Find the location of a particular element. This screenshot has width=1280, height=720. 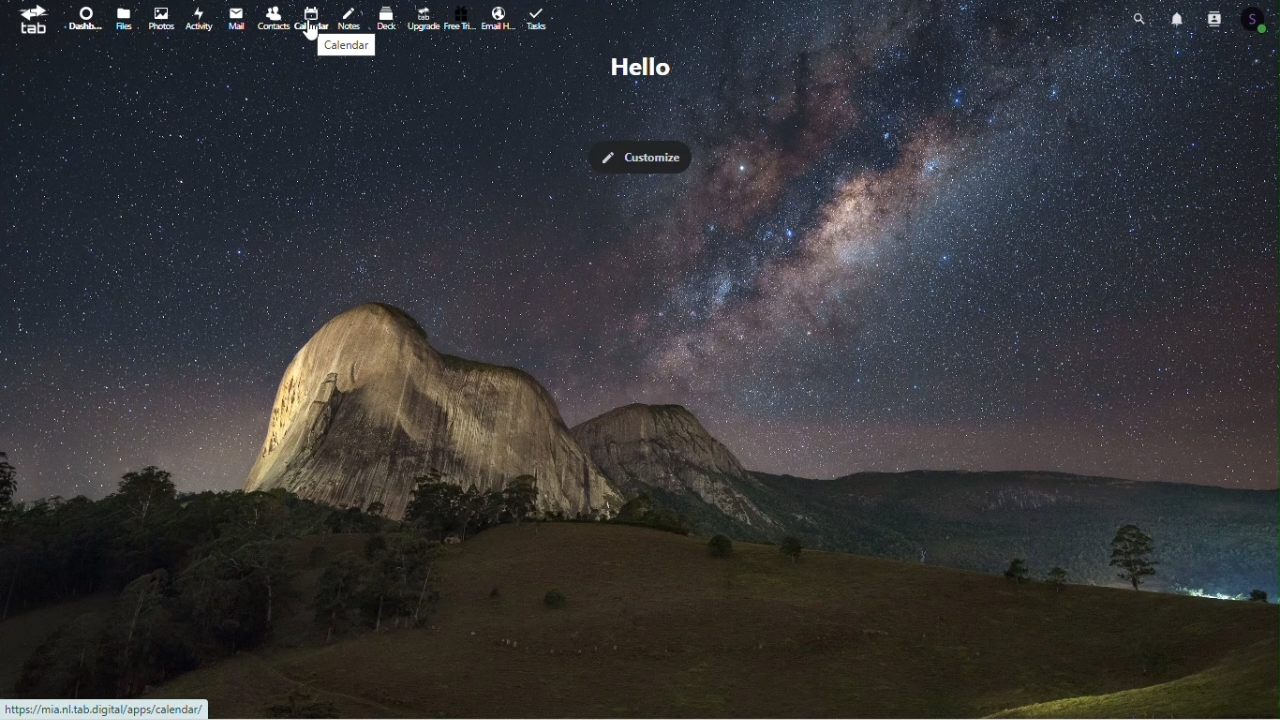

deck is located at coordinates (385, 19).